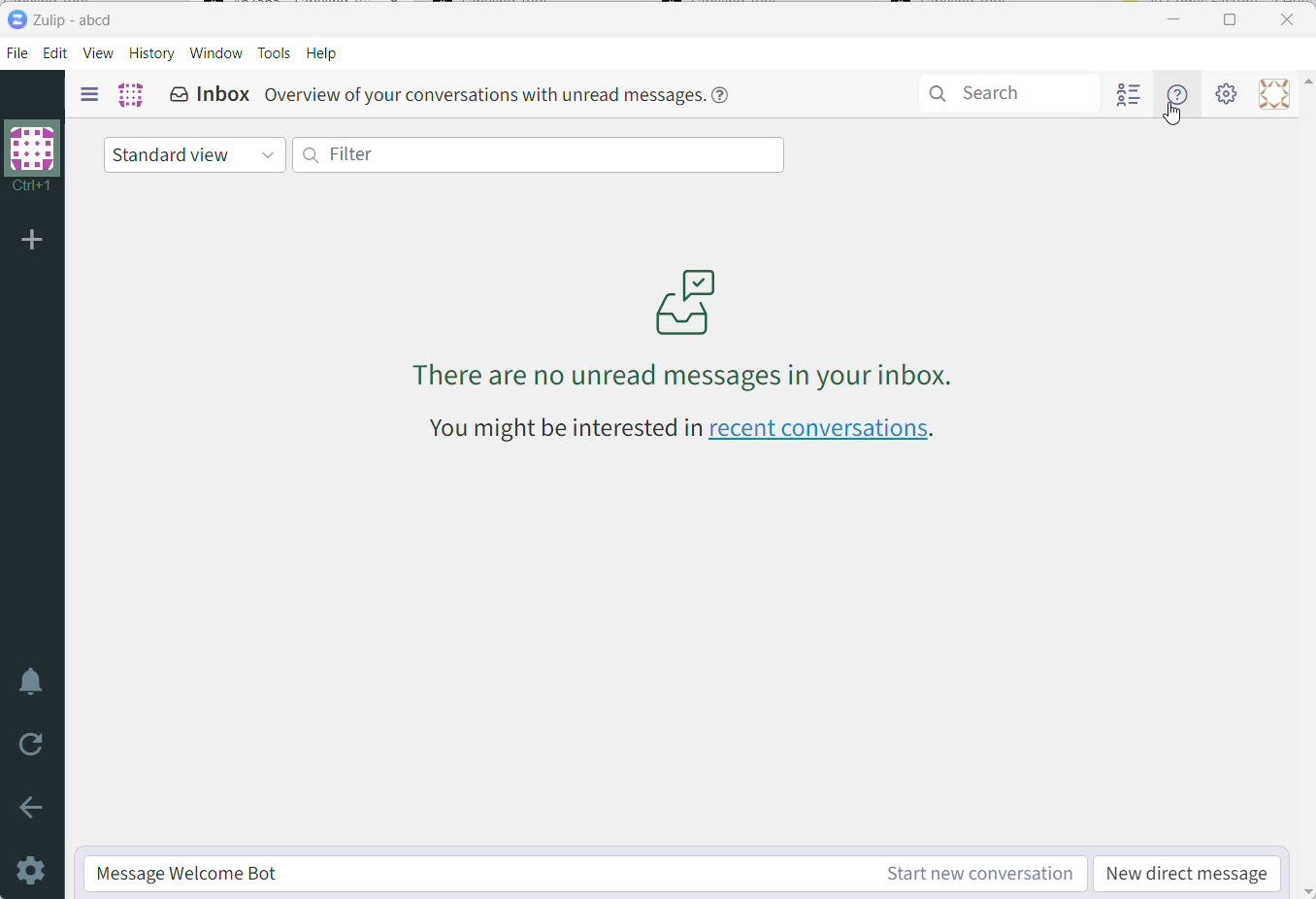 This screenshot has height=899, width=1316. I want to click on Edit, so click(57, 54).